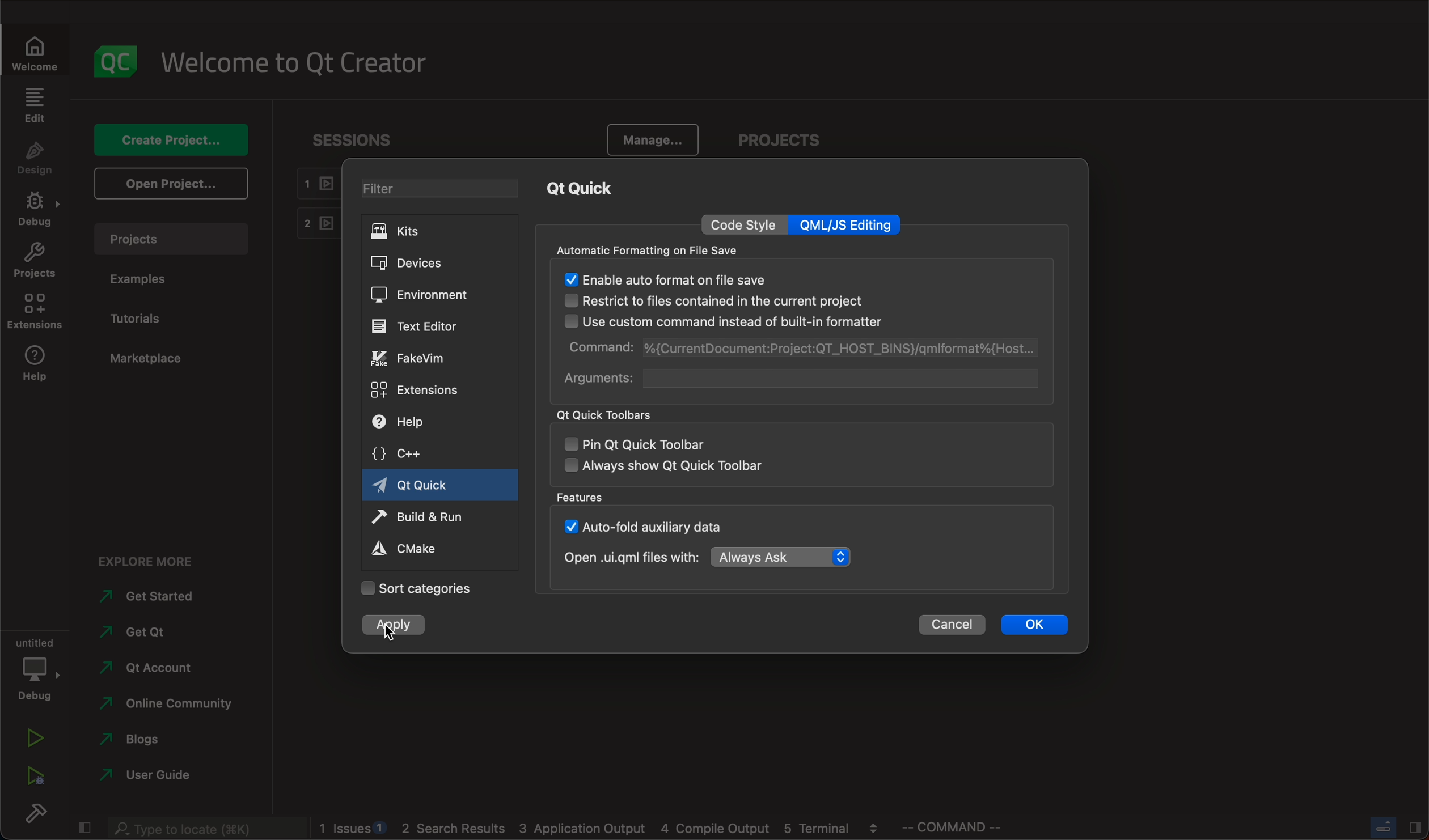  I want to click on features, so click(584, 498).